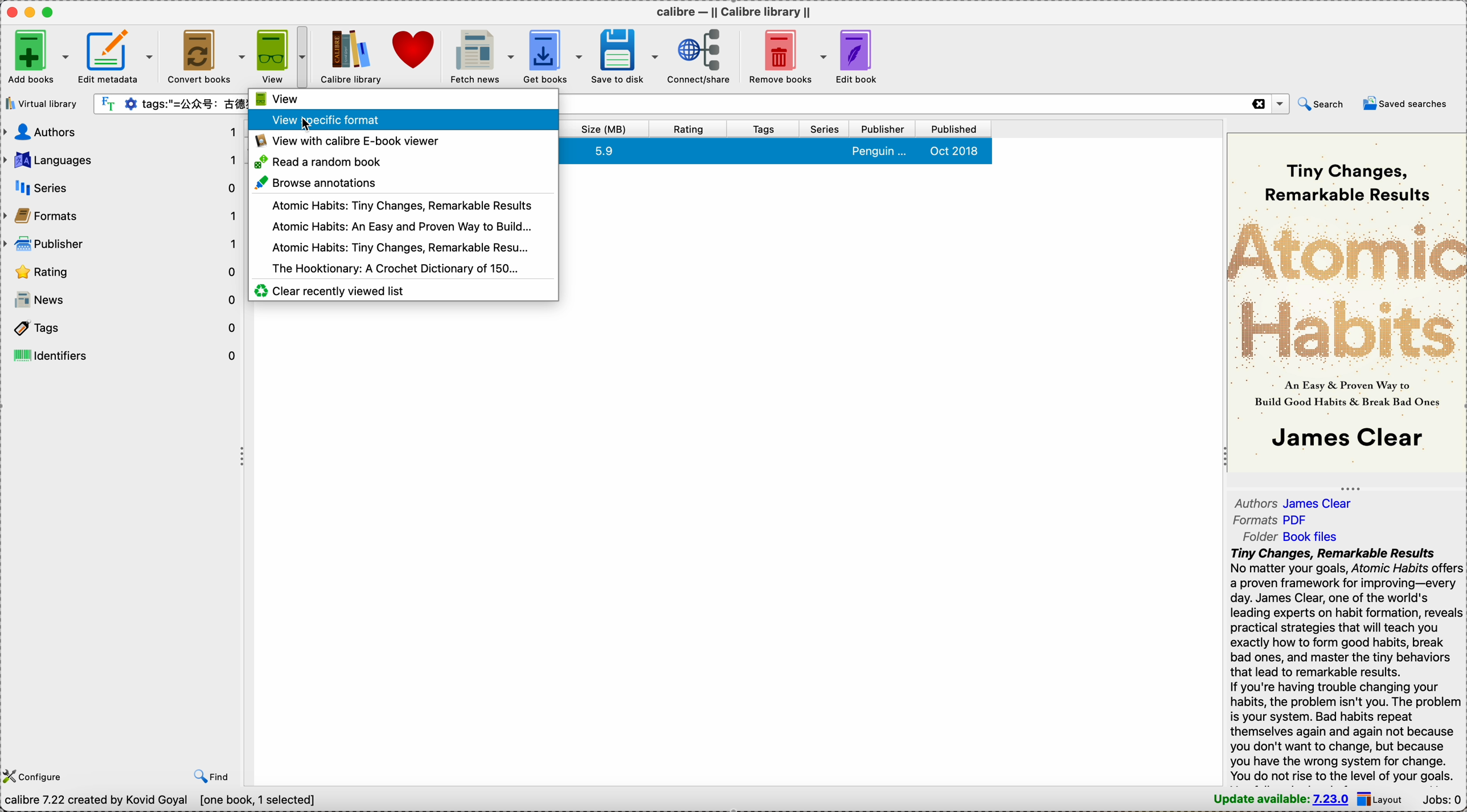  I want to click on convert books, so click(206, 55).